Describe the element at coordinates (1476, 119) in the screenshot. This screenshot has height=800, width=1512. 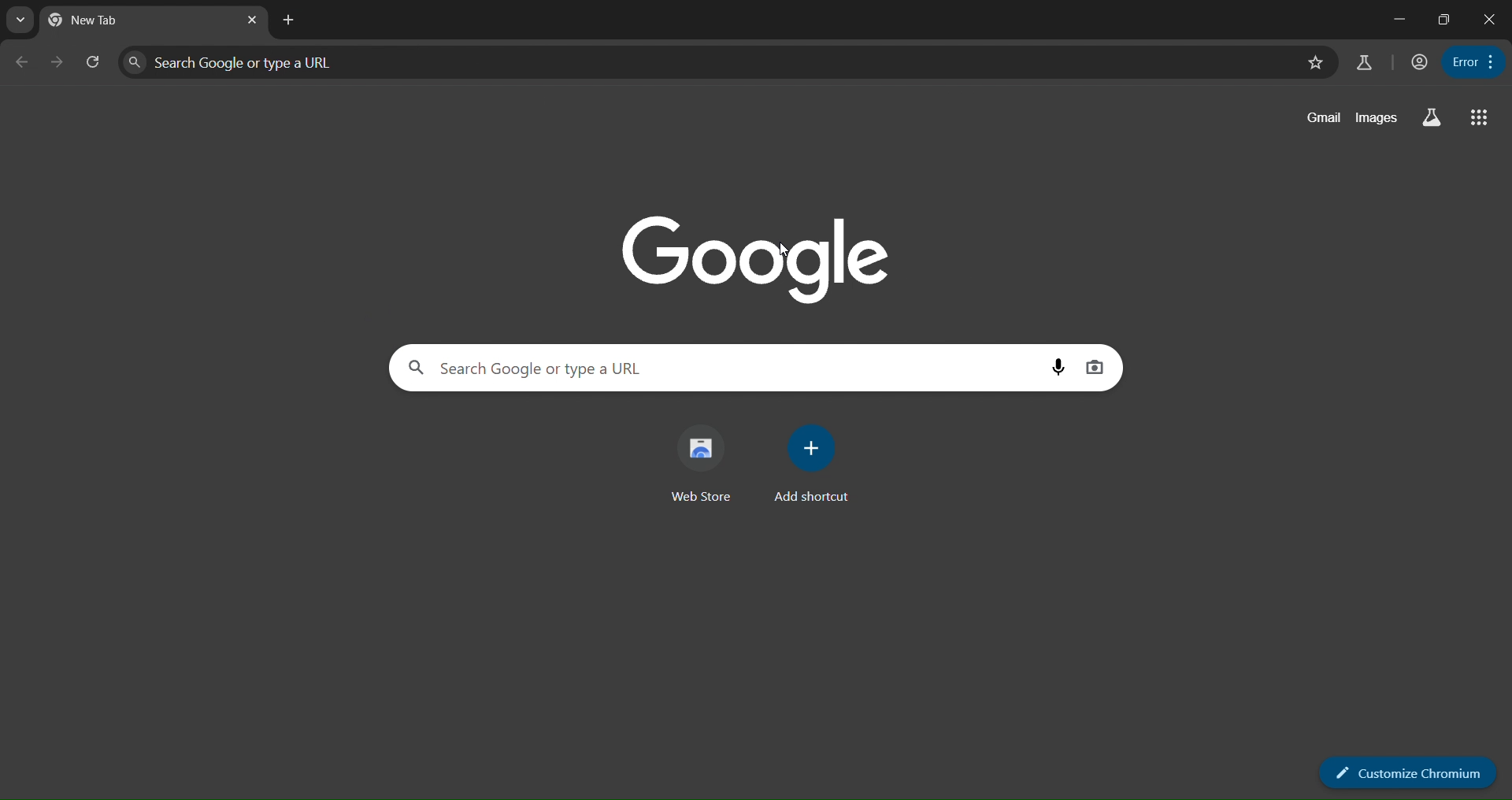
I see `google apps` at that location.